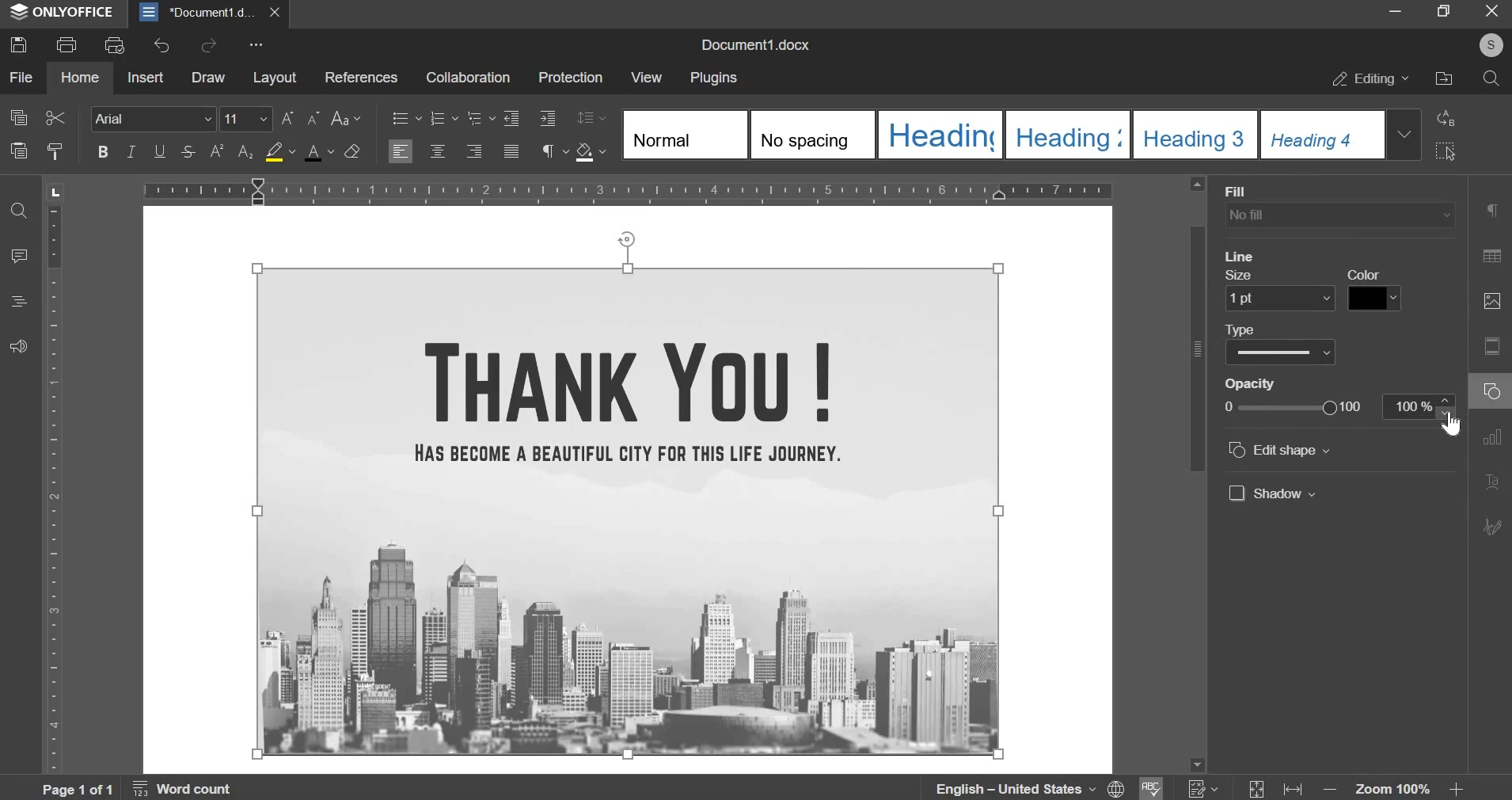 The image size is (1512, 800). I want to click on Heading 1, so click(939, 135).